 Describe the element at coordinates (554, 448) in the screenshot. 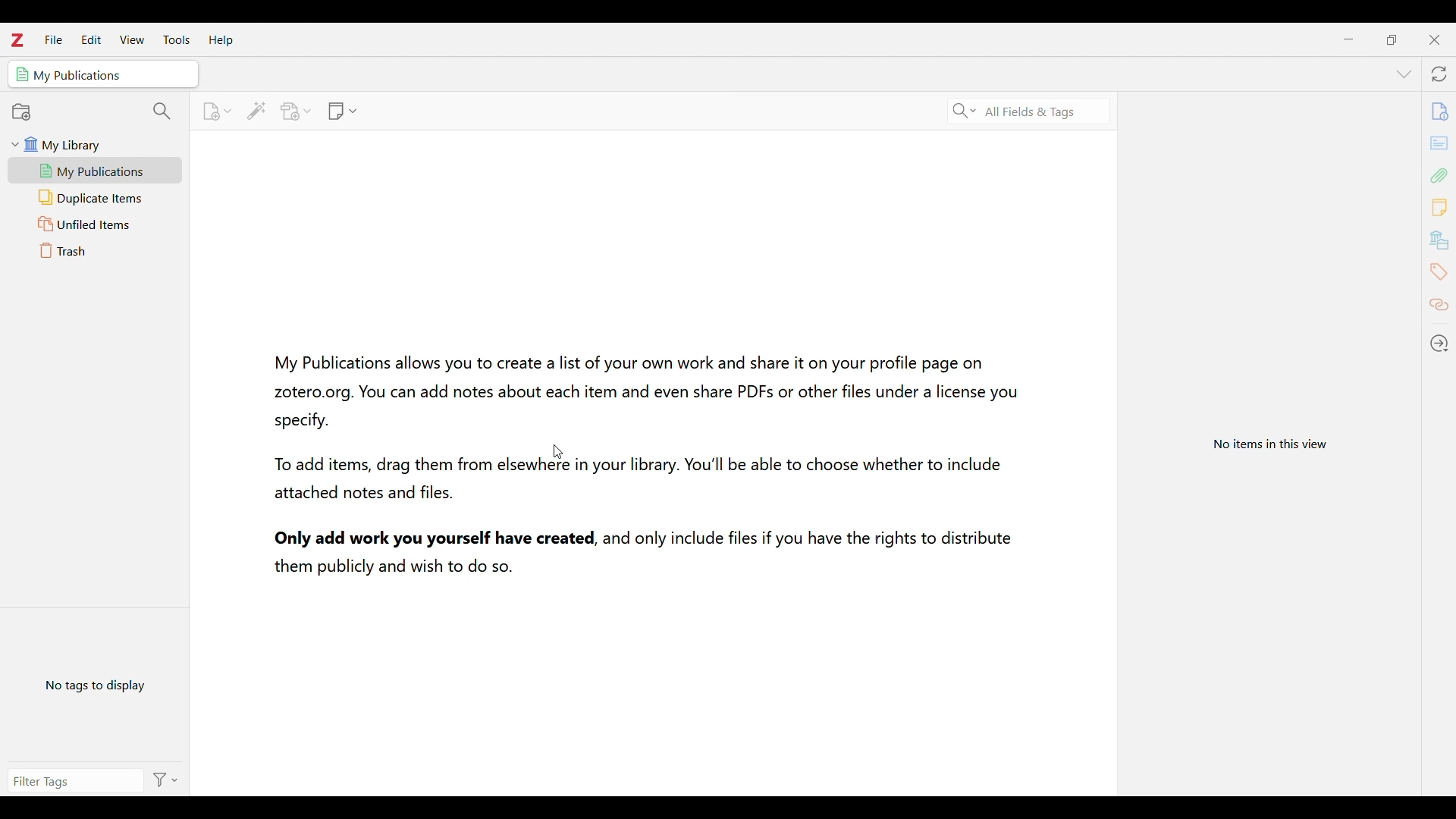

I see `Cursor` at that location.